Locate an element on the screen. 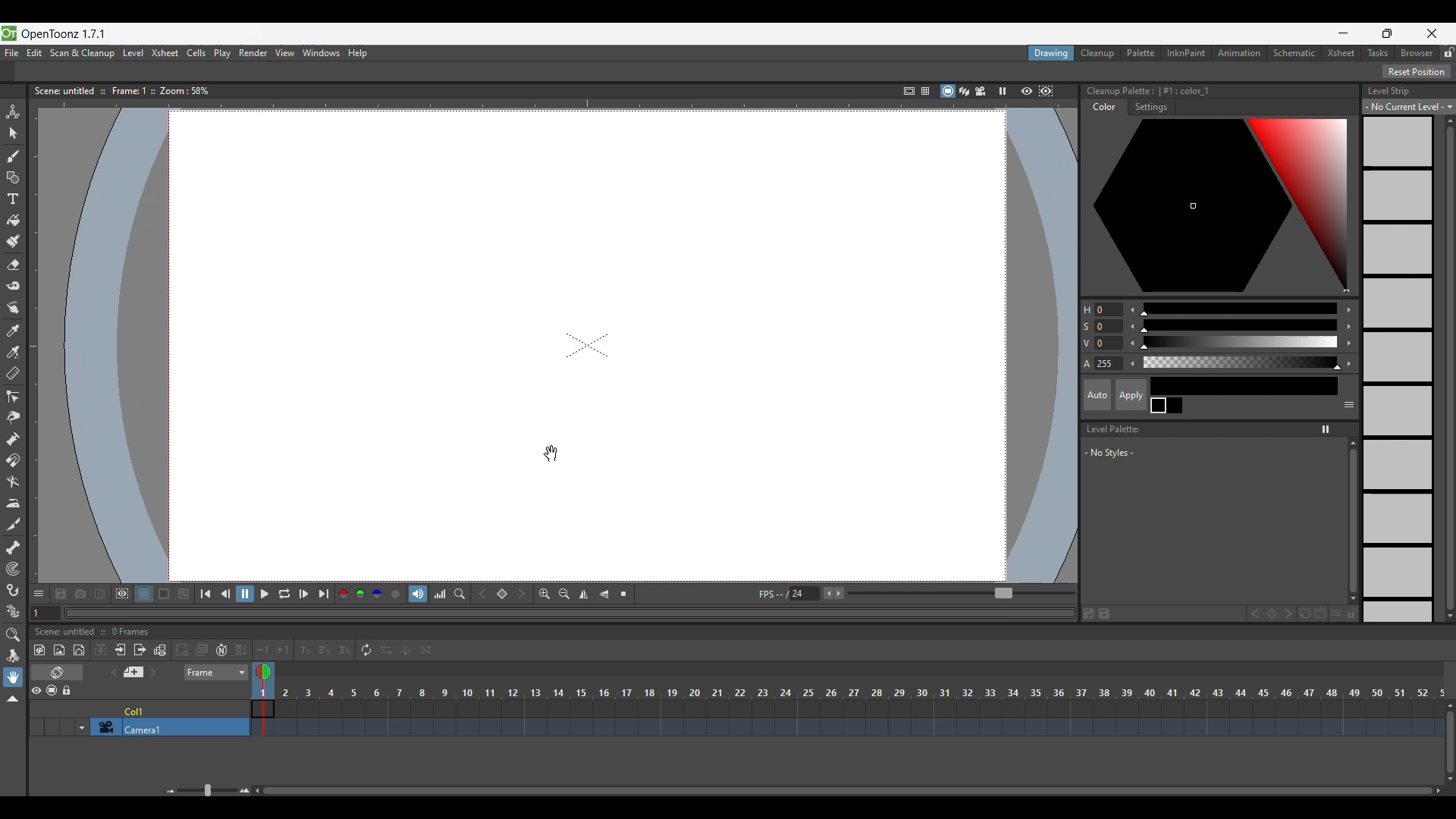  Collapse toolbar is located at coordinates (13, 699).